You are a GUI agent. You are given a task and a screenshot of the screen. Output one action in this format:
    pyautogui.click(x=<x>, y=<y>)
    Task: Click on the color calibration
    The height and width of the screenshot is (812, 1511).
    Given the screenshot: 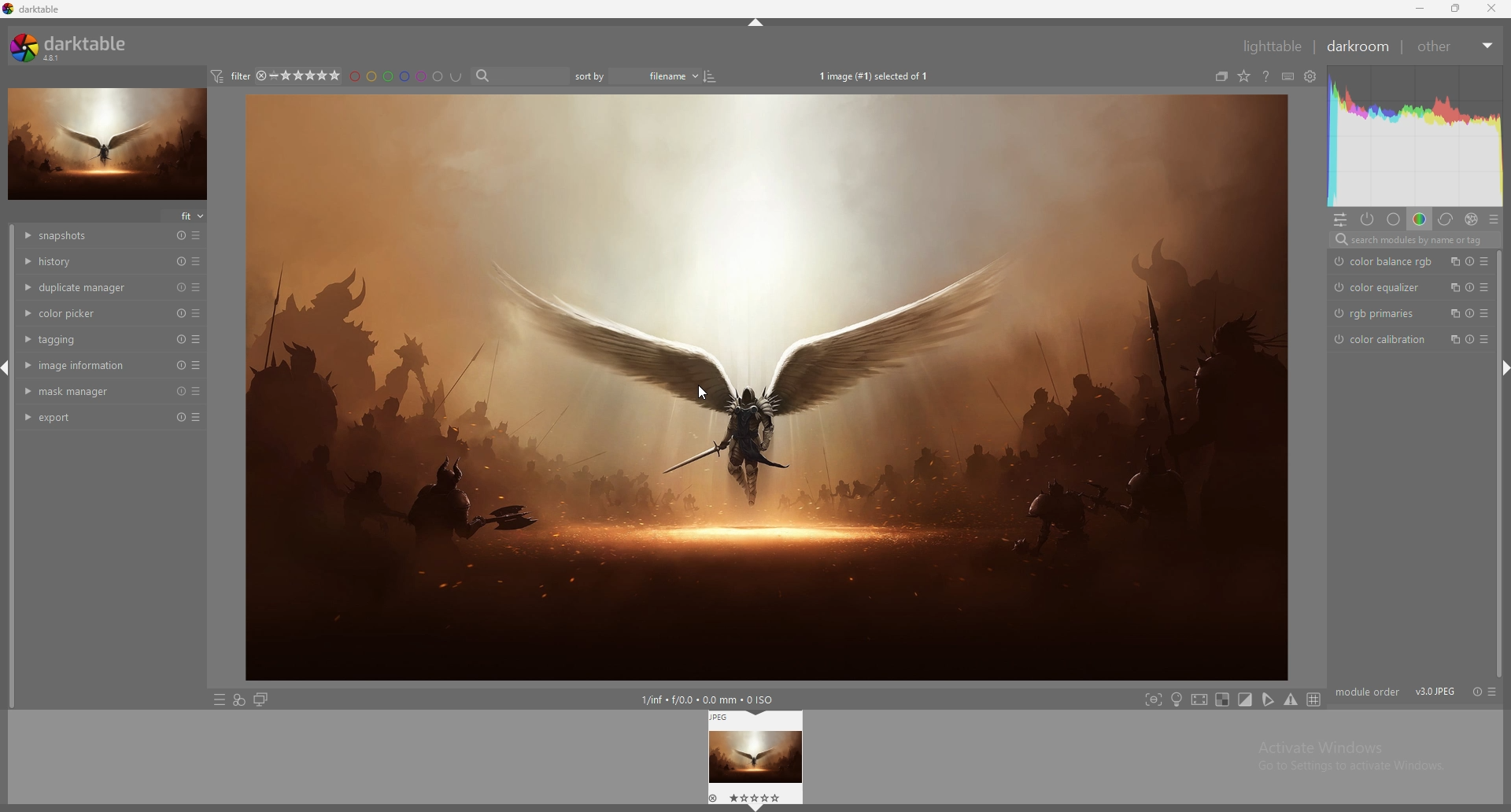 What is the action you would take?
    pyautogui.click(x=1384, y=339)
    